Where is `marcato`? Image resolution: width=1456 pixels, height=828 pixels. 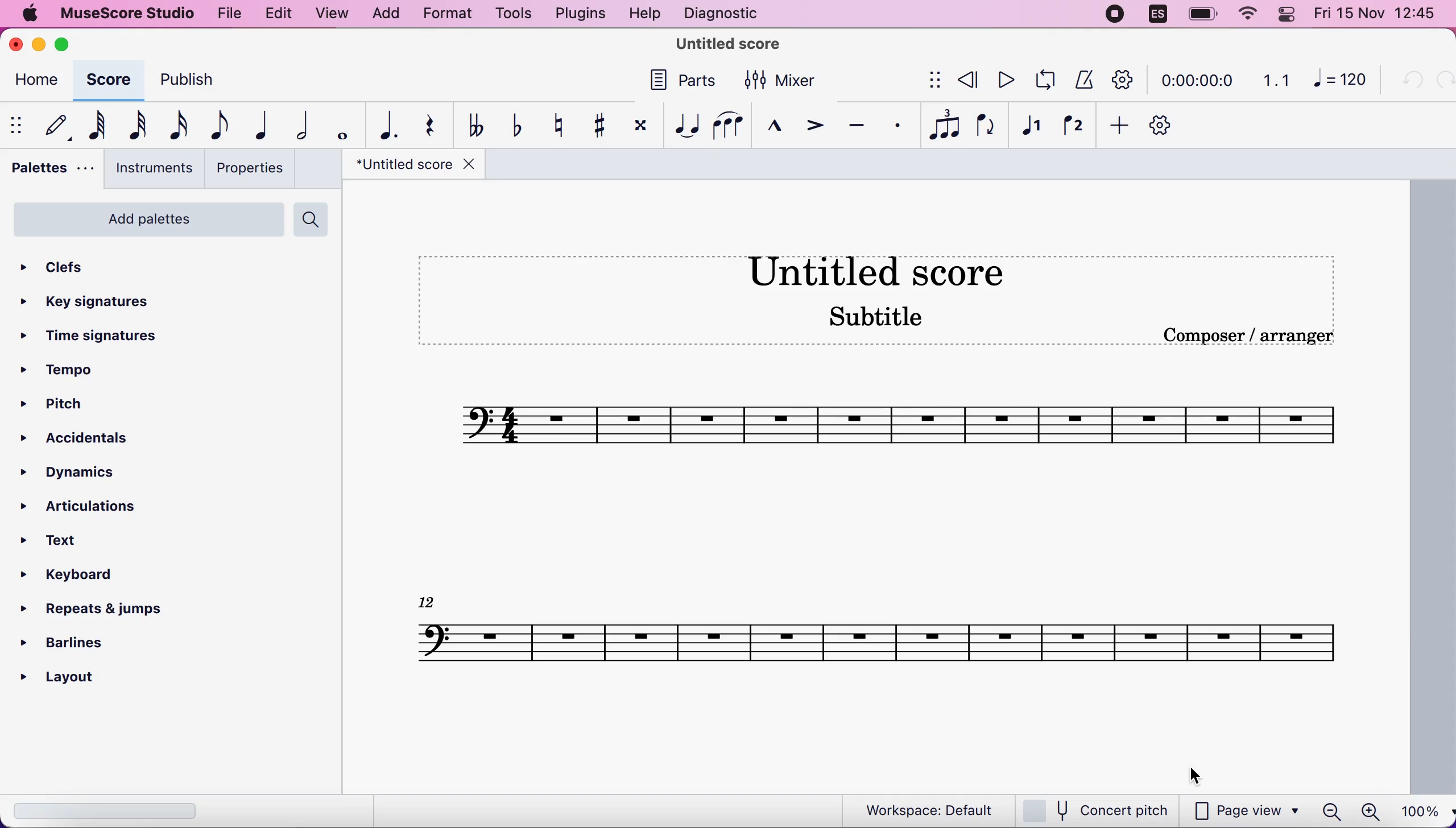 marcato is located at coordinates (772, 121).